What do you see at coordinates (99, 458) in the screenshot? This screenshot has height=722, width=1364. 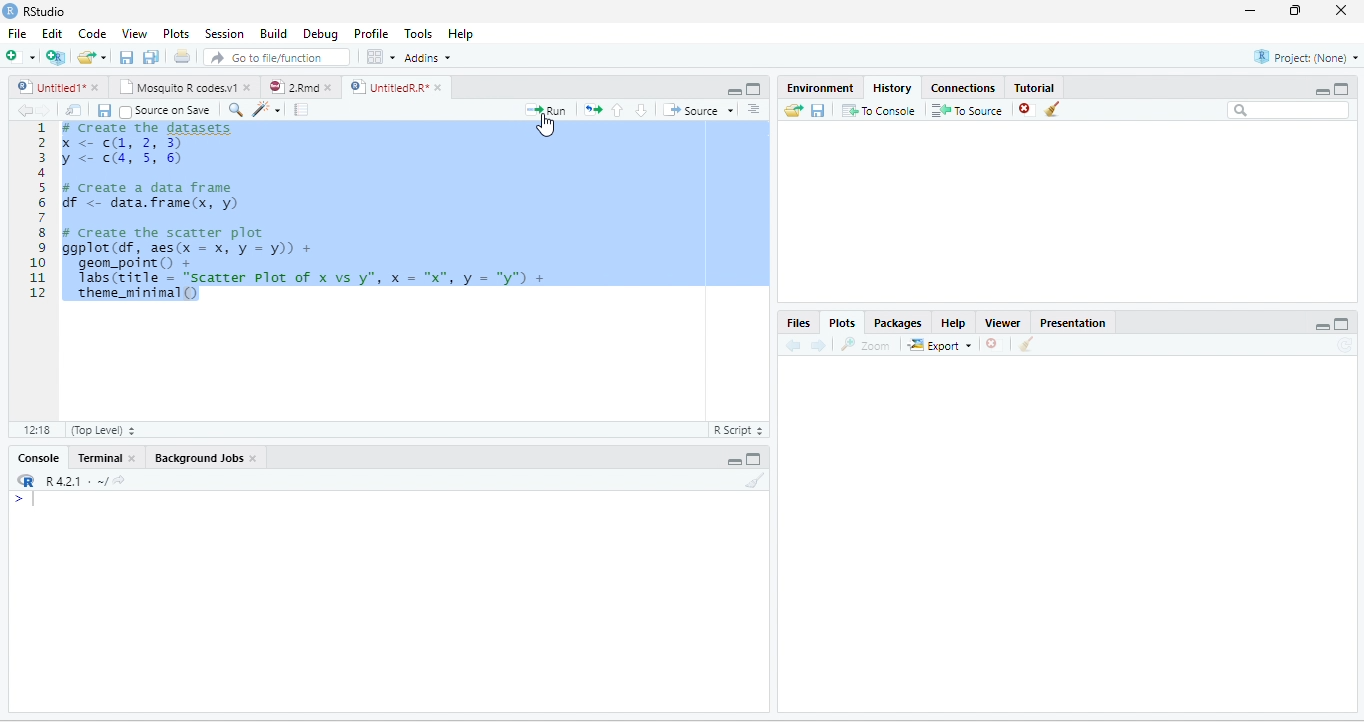 I see `Terminal` at bounding box center [99, 458].